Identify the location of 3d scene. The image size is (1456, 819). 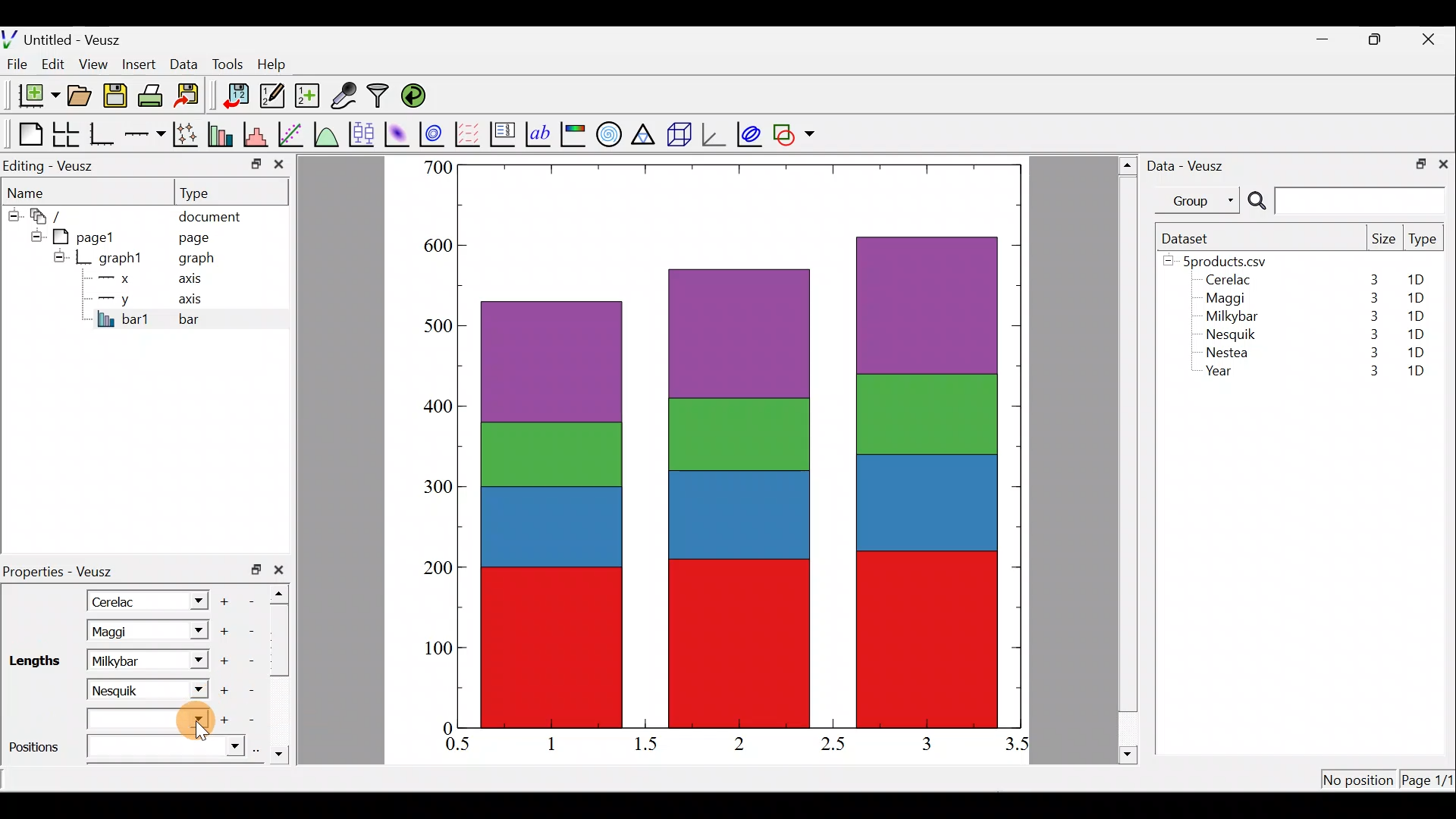
(678, 134).